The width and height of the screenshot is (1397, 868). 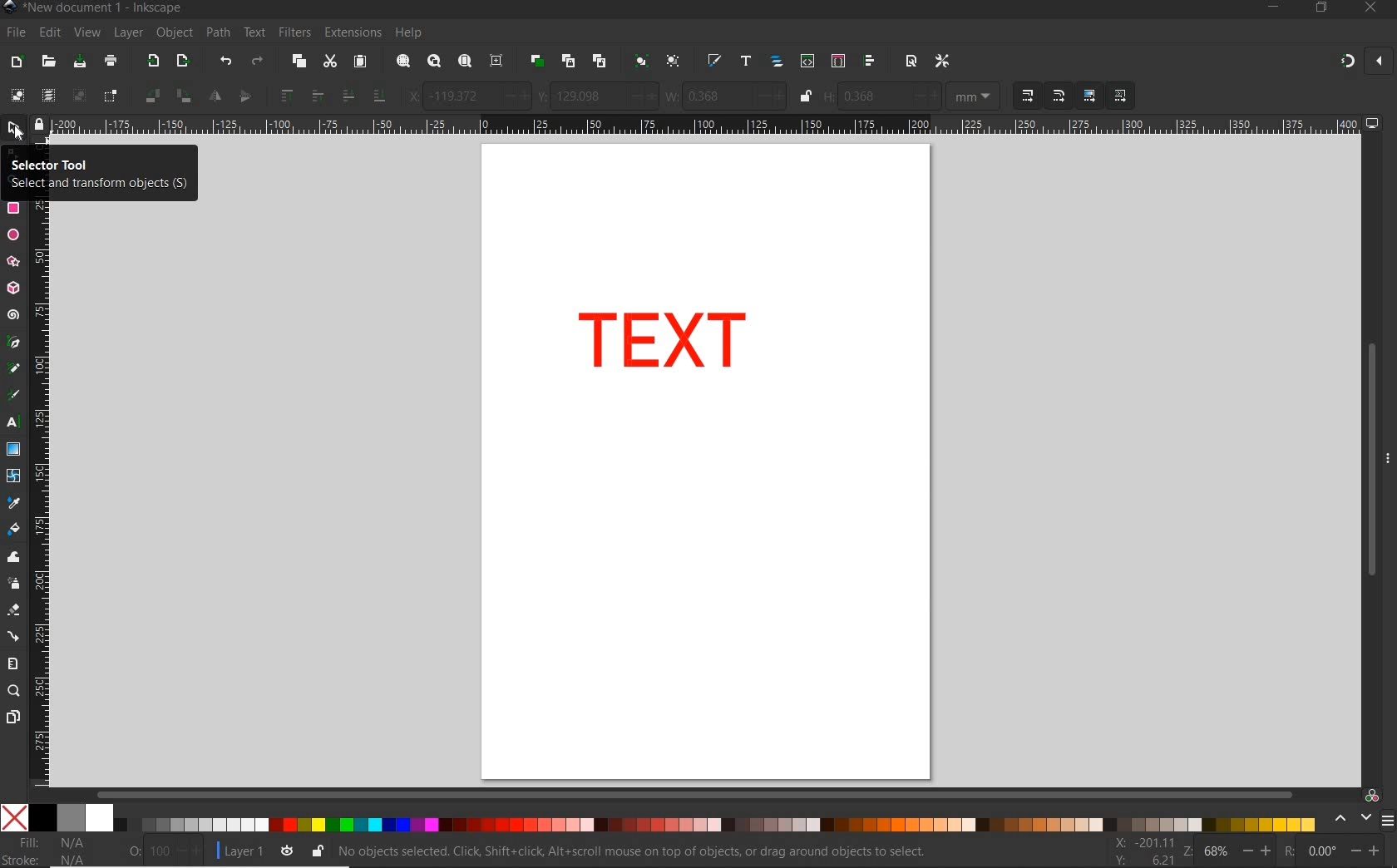 What do you see at coordinates (744, 62) in the screenshot?
I see `OPEN TEXT` at bounding box center [744, 62].